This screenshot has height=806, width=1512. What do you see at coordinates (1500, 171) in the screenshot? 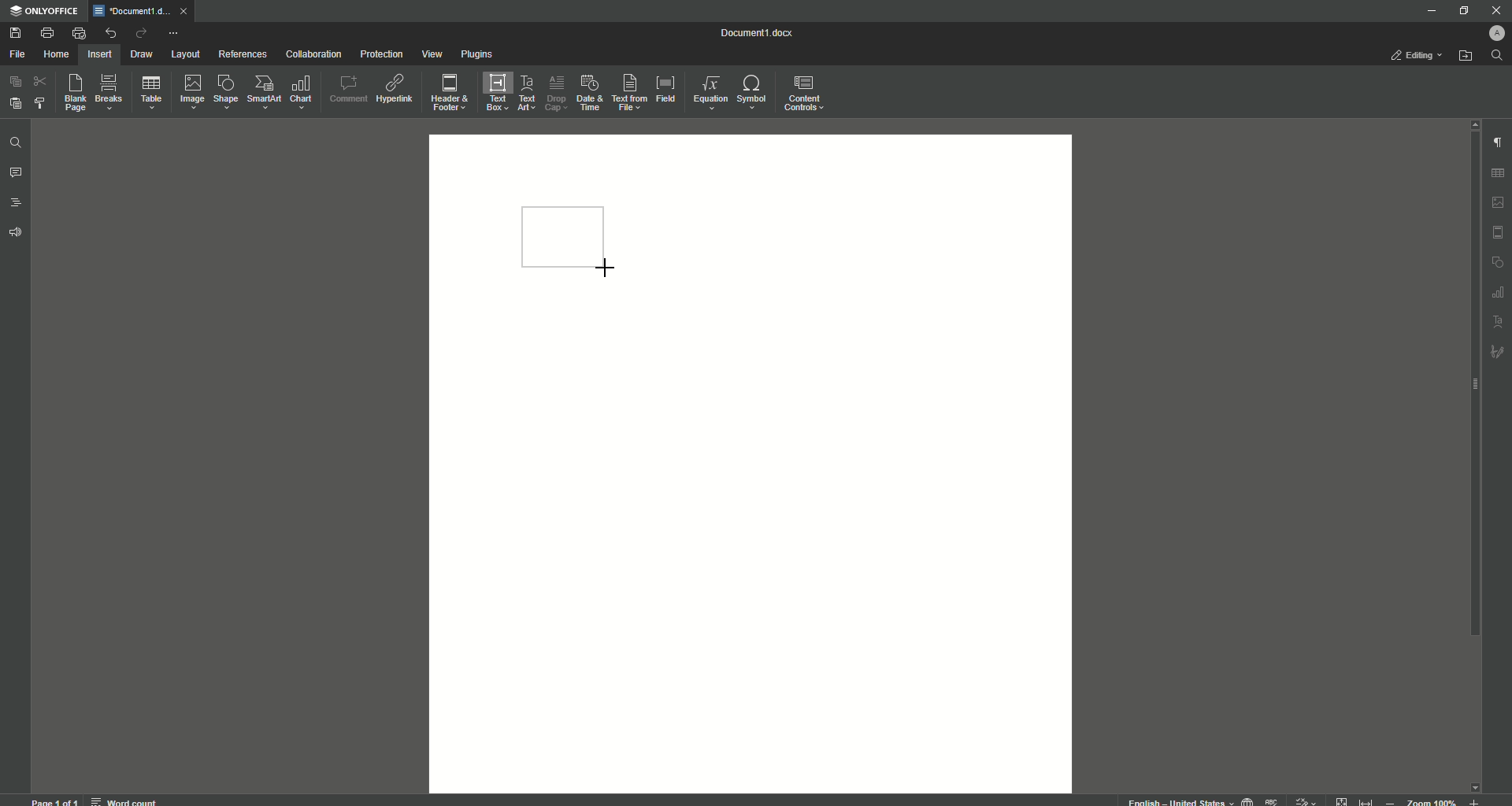
I see `table` at bounding box center [1500, 171].